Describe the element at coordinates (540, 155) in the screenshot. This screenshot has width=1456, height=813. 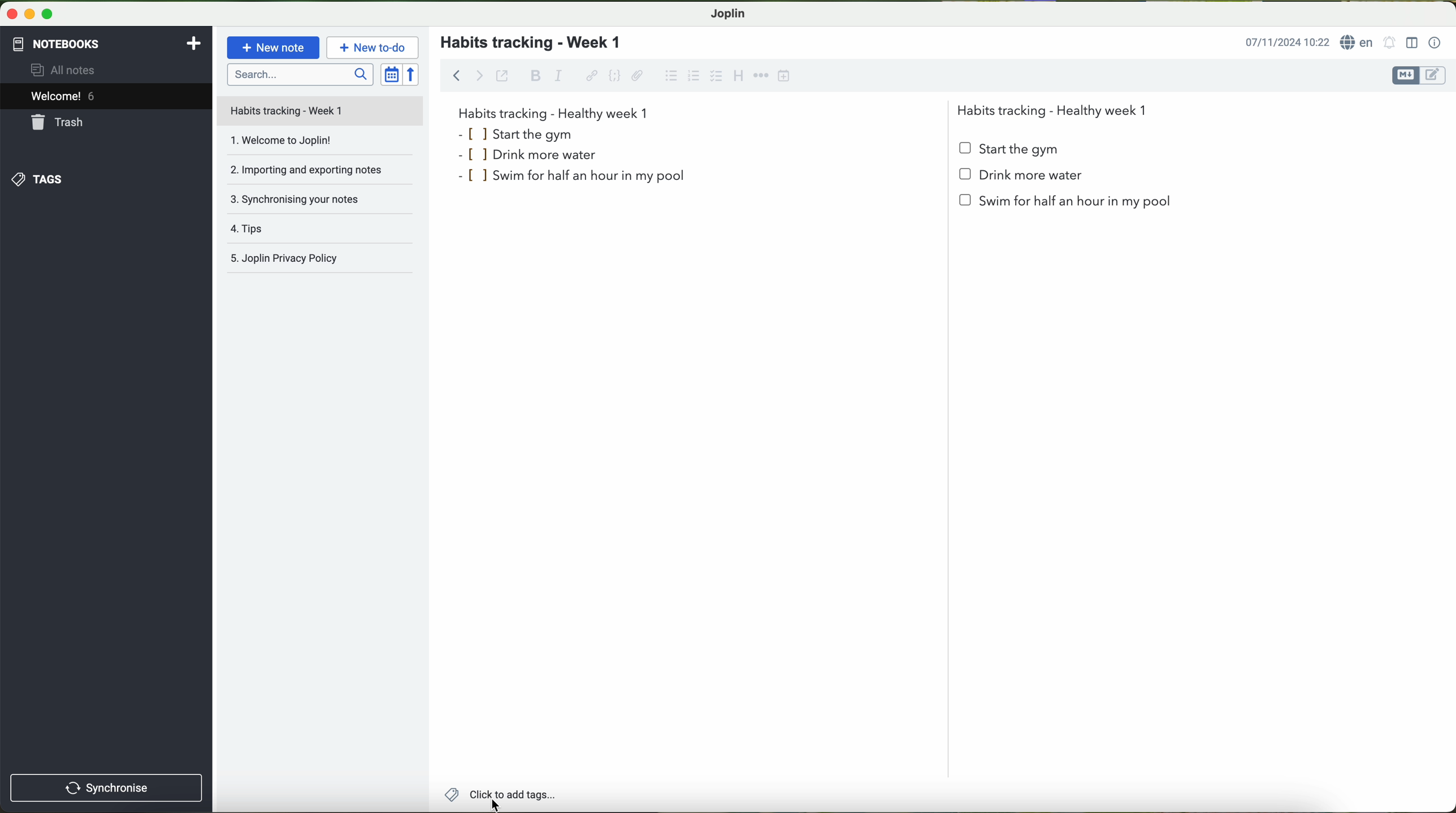
I see `drink more water` at that location.